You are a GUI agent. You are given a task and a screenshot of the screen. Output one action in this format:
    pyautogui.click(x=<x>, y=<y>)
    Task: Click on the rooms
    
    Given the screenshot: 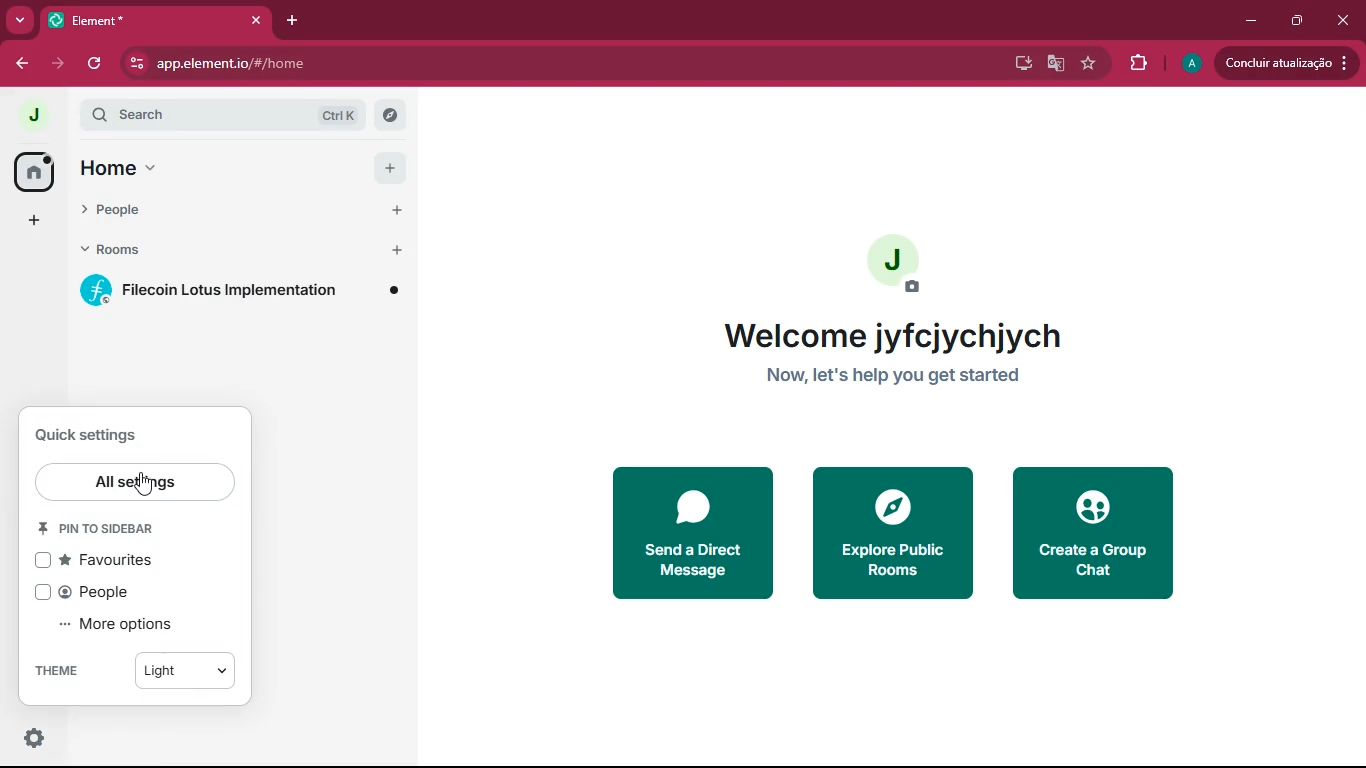 What is the action you would take?
    pyautogui.click(x=134, y=251)
    